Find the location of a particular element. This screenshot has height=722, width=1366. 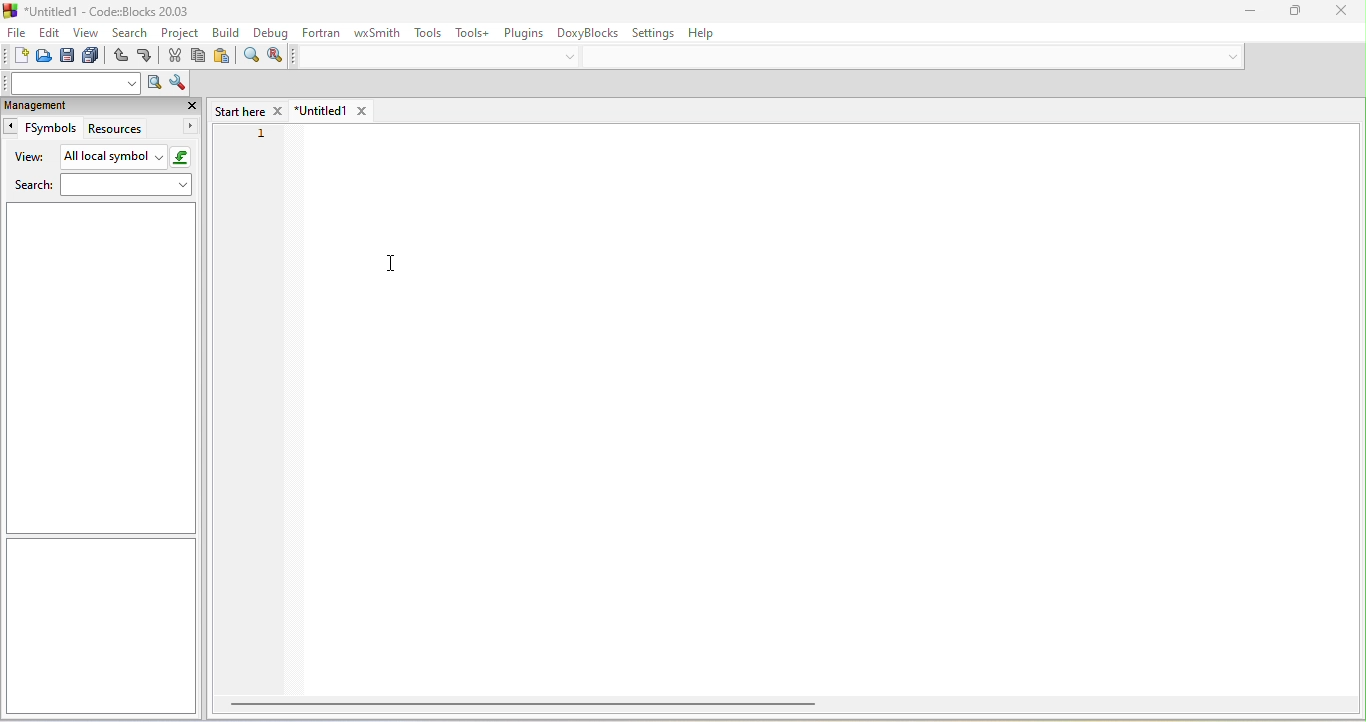

sidebar is located at coordinates (99, 368).